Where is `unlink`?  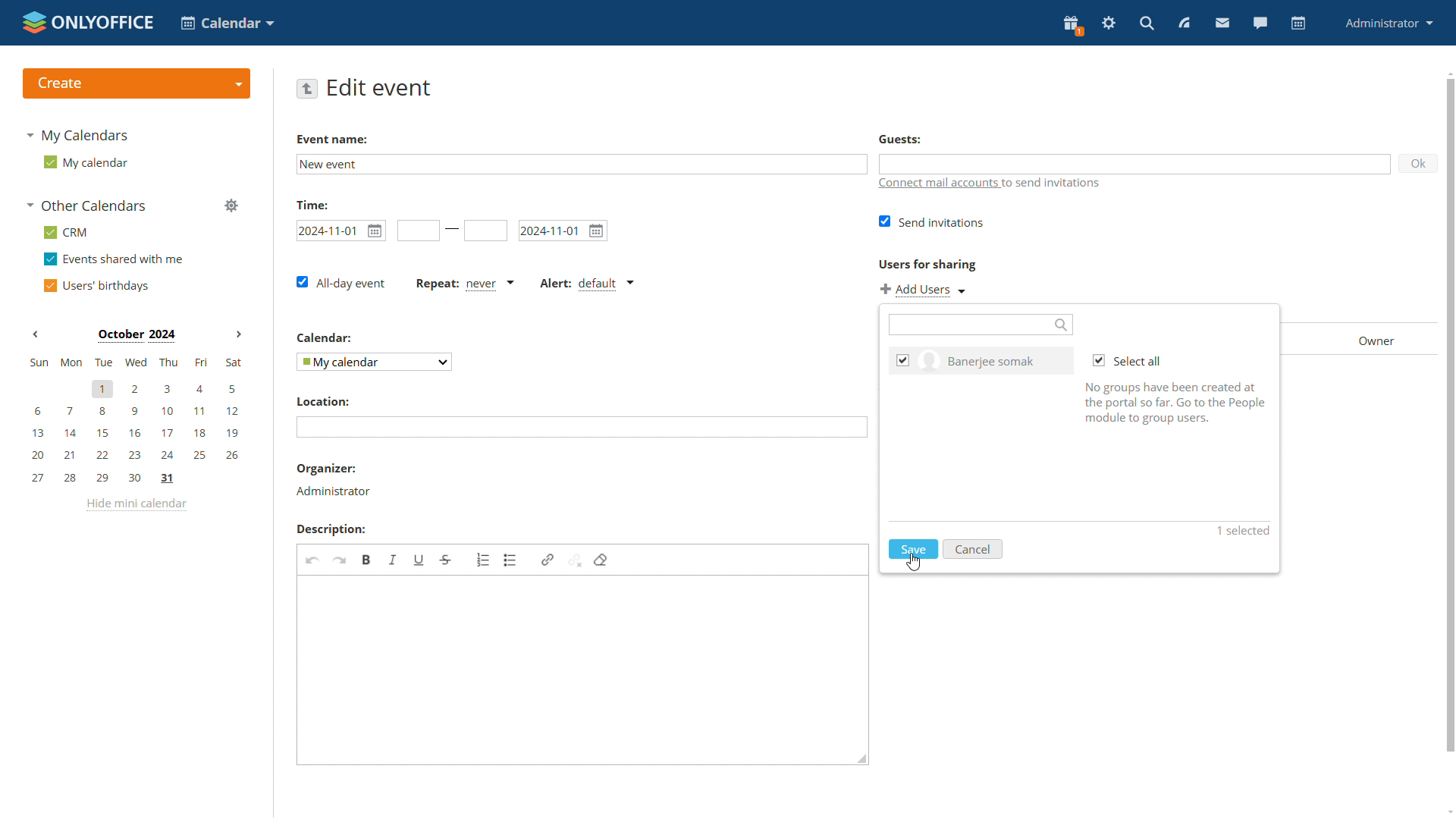 unlink is located at coordinates (574, 560).